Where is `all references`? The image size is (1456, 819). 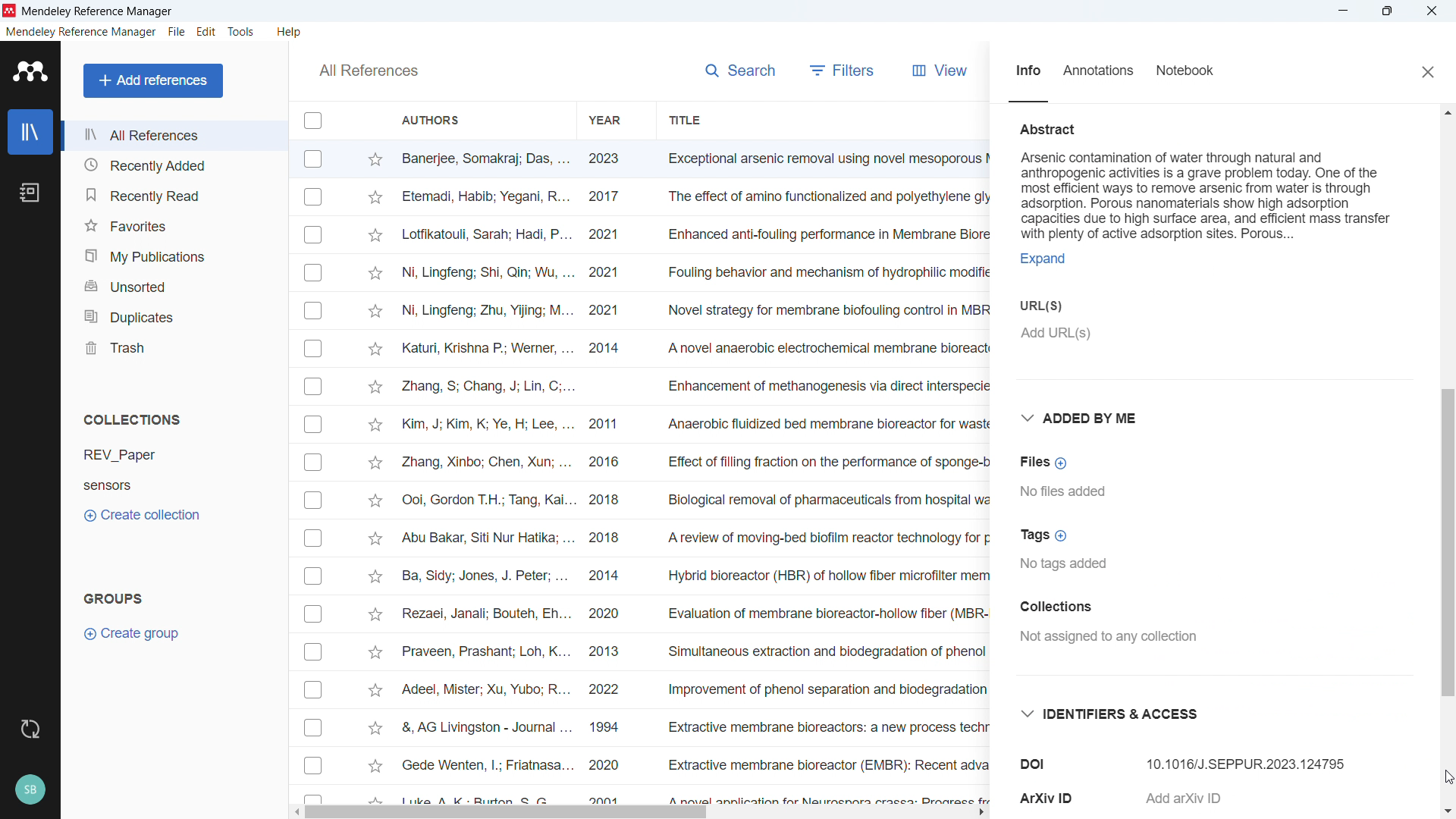
all references is located at coordinates (367, 71).